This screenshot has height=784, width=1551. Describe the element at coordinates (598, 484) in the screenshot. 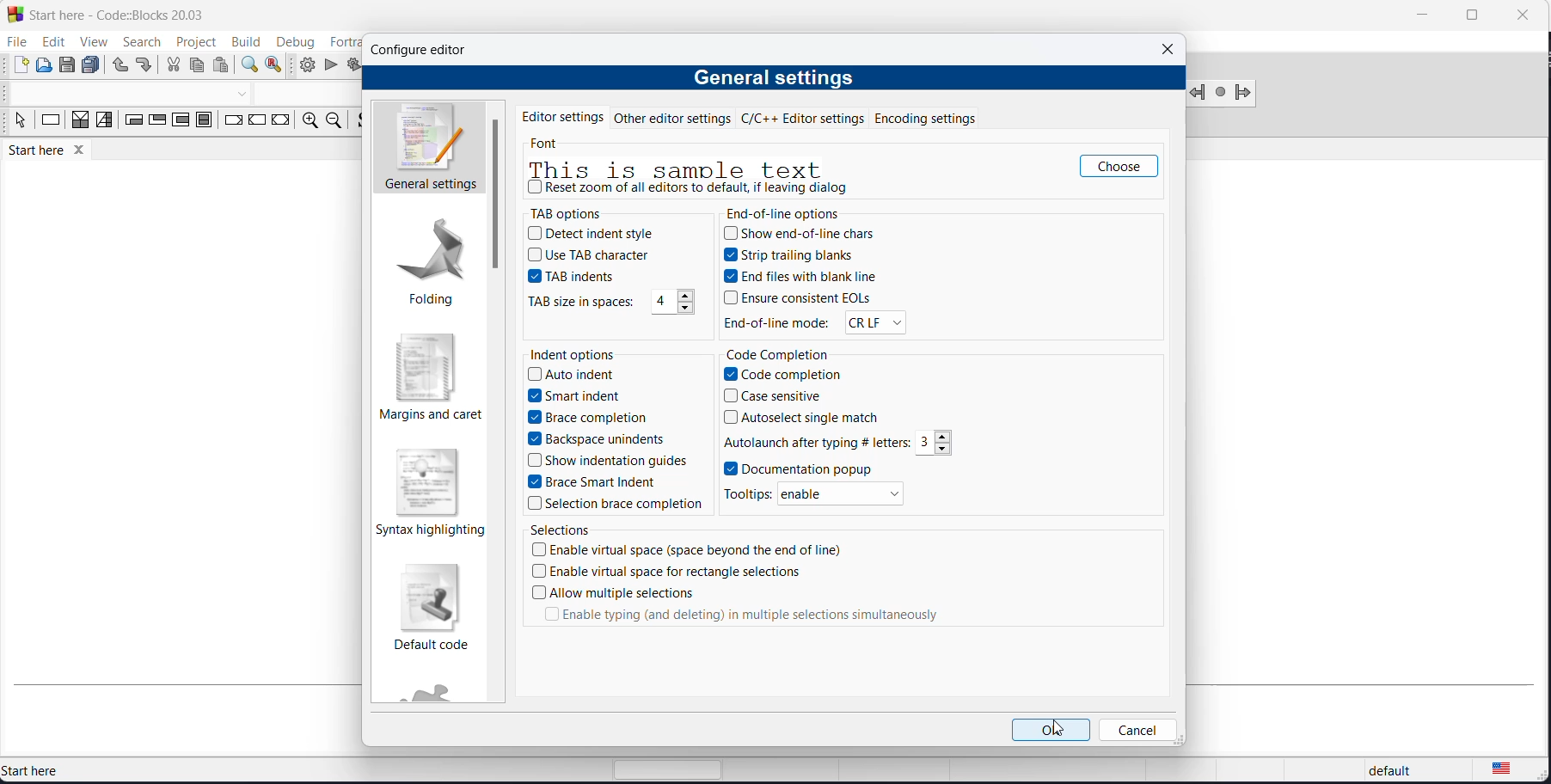

I see `brace smart indent` at that location.